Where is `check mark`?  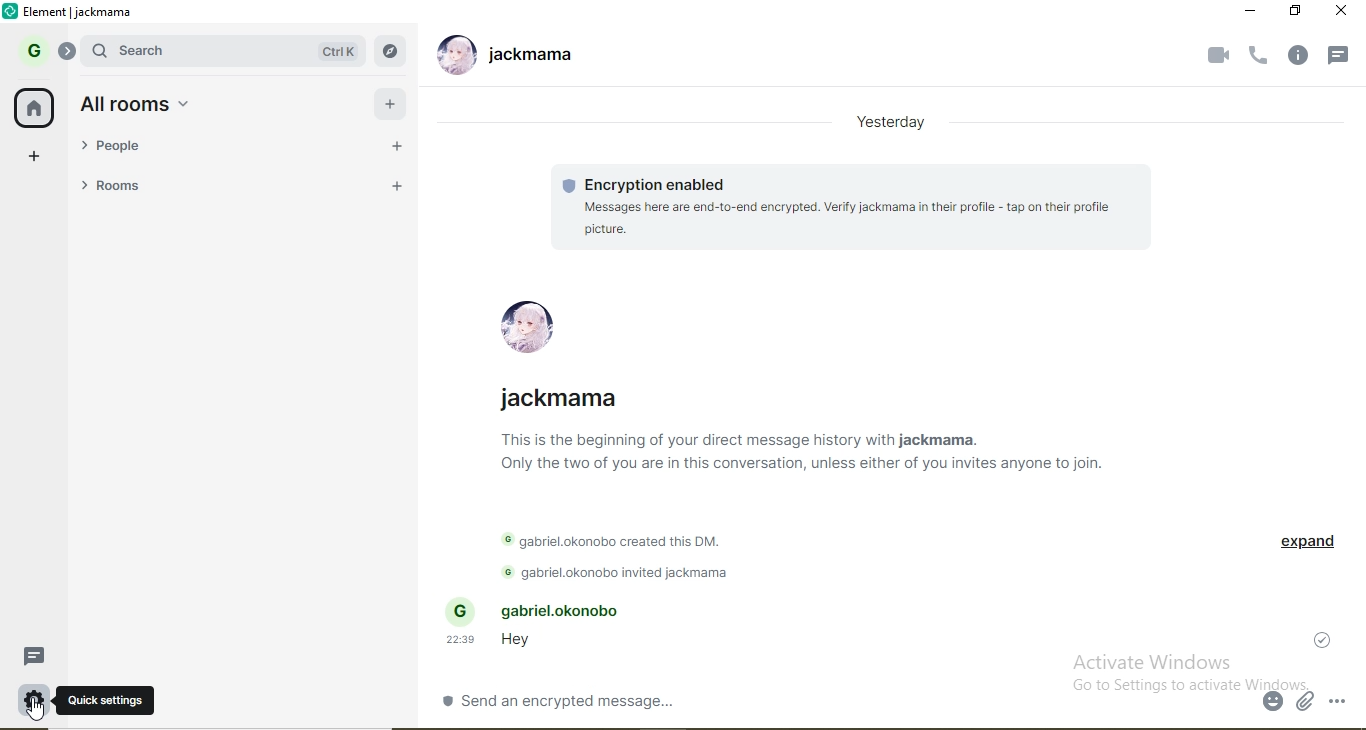
check mark is located at coordinates (1323, 638).